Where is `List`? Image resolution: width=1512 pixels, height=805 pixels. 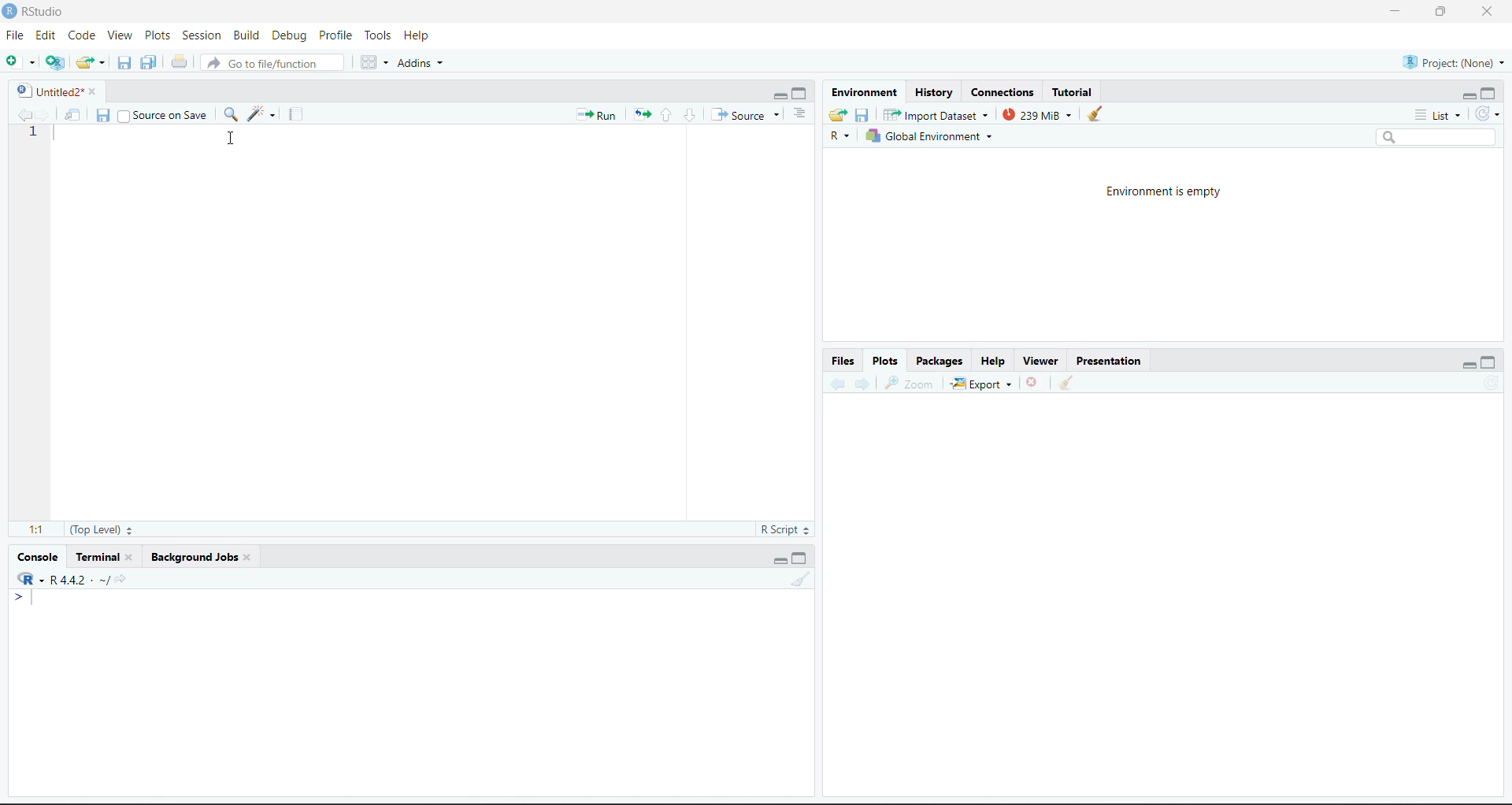
List is located at coordinates (1435, 117).